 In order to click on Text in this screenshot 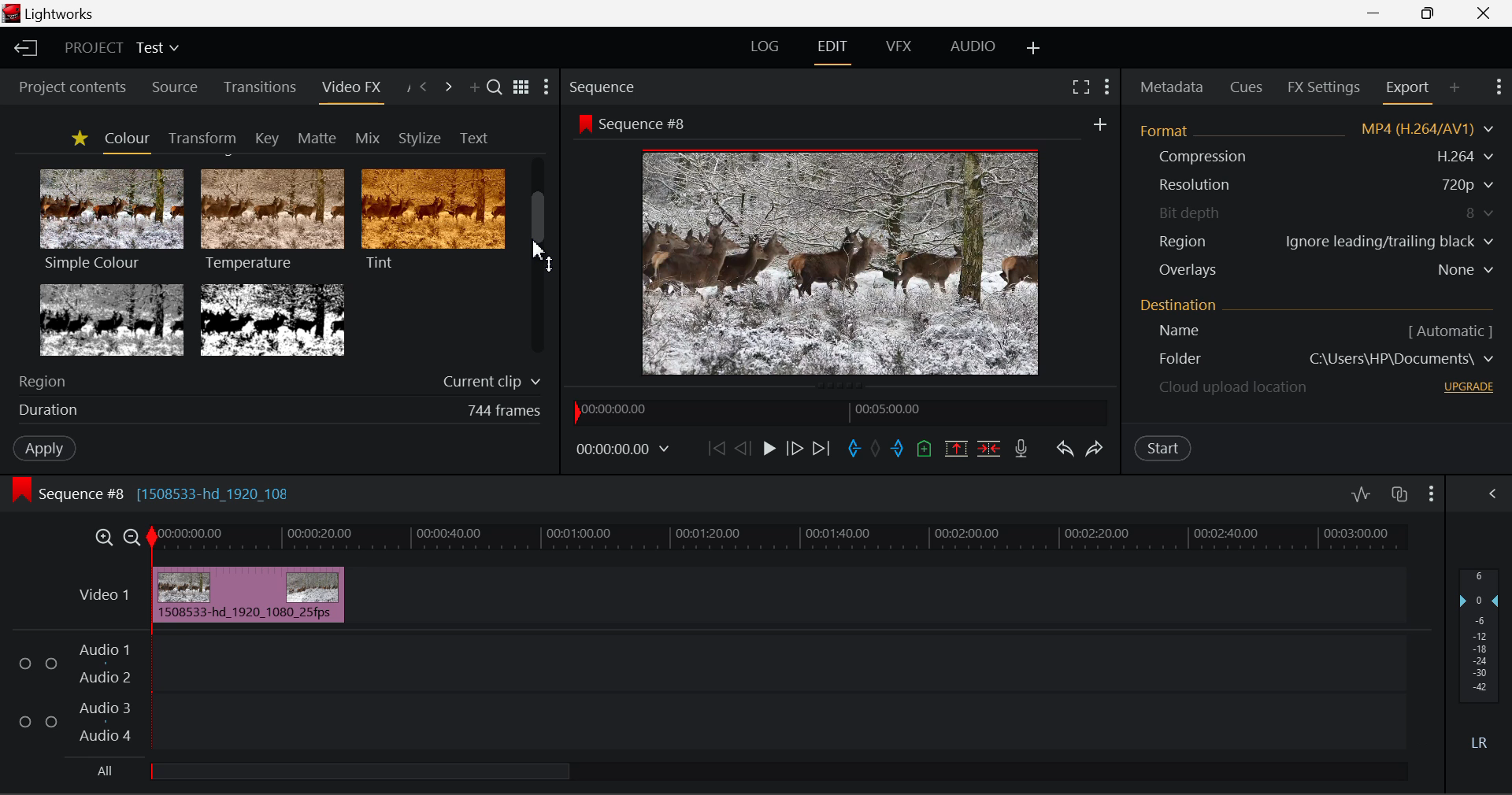, I will do `click(471, 137)`.